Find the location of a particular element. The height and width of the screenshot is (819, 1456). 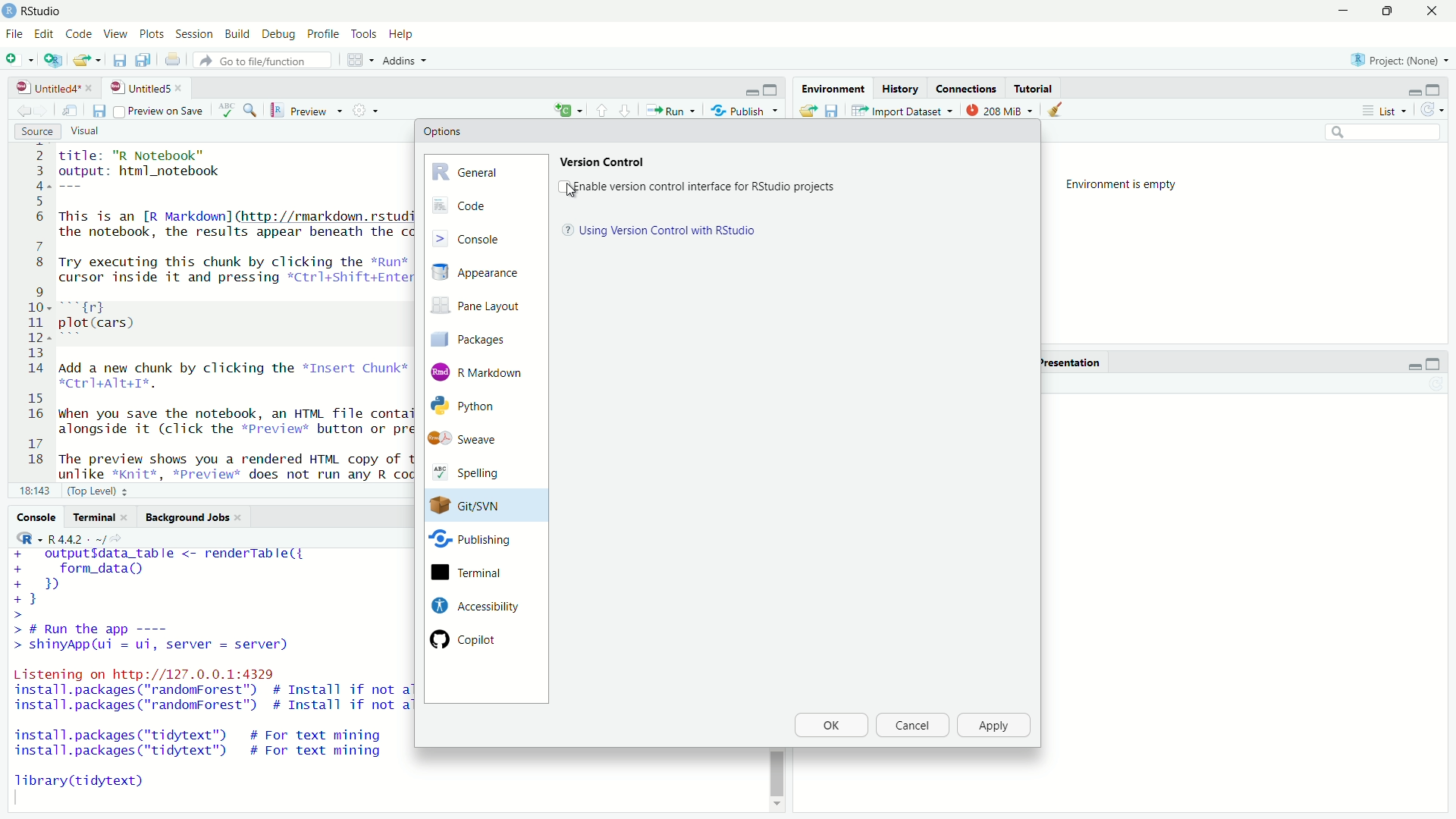

Visual is located at coordinates (94, 132).